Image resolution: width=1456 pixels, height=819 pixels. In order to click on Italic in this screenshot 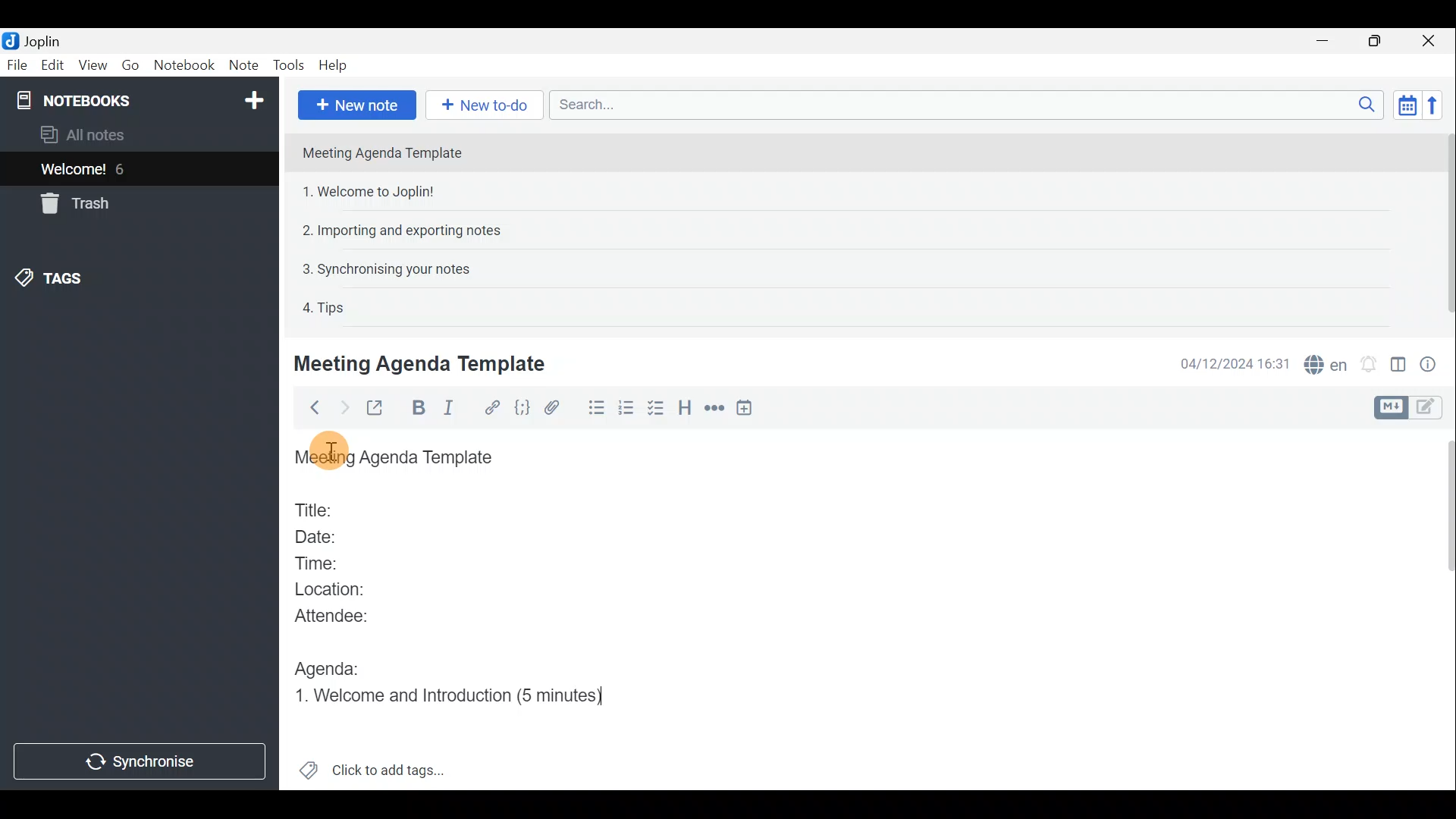, I will do `click(456, 409)`.